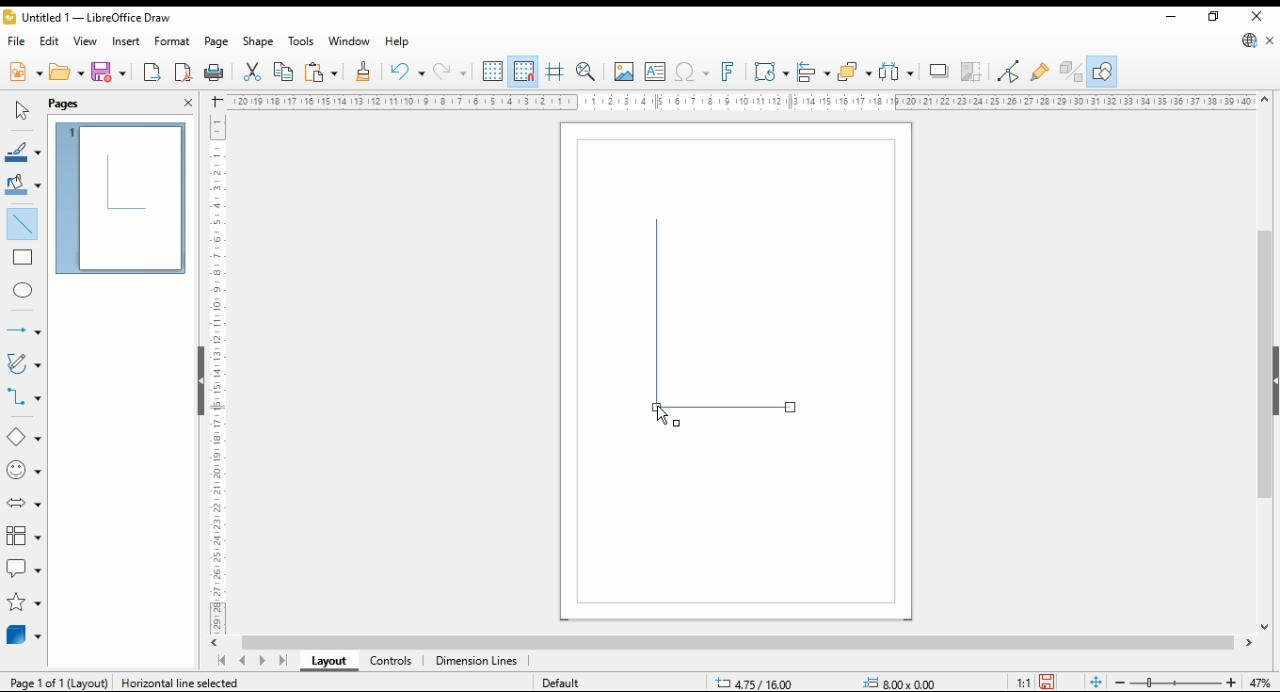  I want to click on first page, so click(221, 661).